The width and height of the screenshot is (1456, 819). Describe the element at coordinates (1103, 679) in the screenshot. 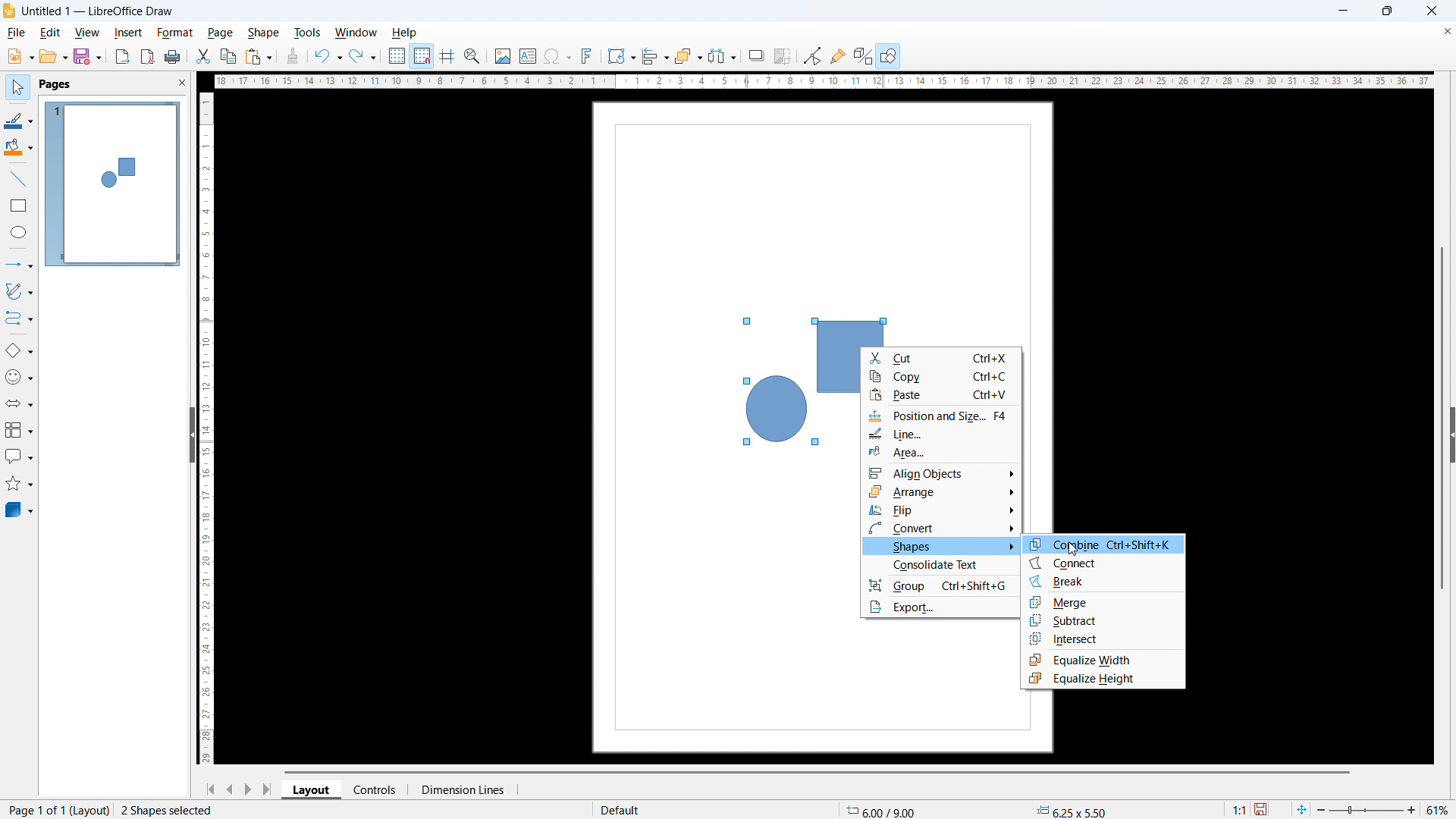

I see `equalize height` at that location.